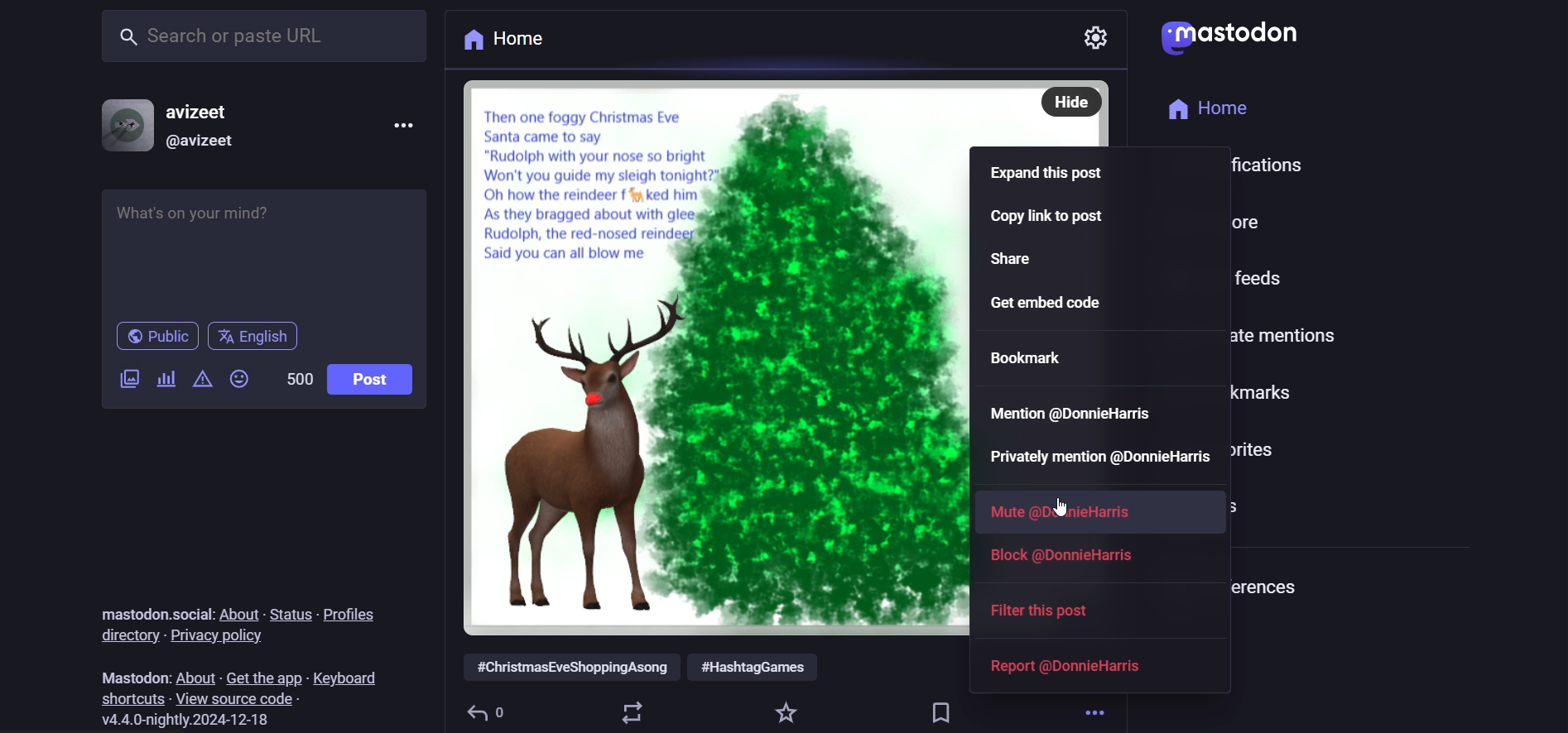 This screenshot has width=1568, height=733. What do you see at coordinates (346, 677) in the screenshot?
I see `keyboard` at bounding box center [346, 677].